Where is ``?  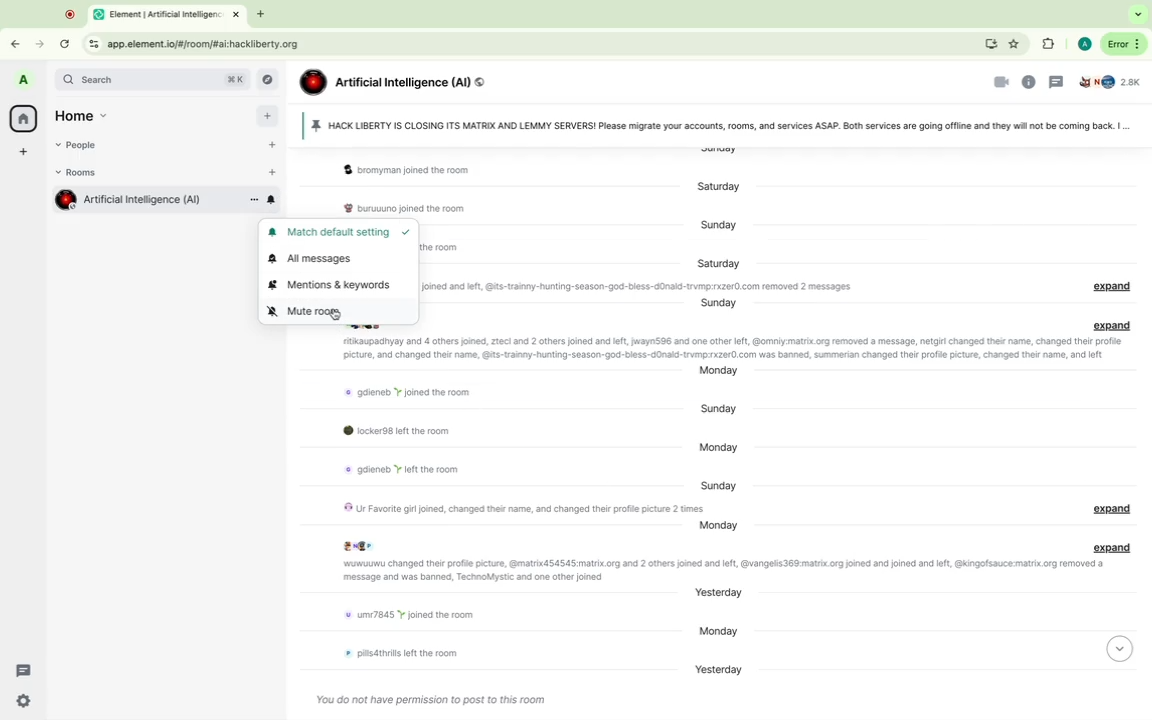
 is located at coordinates (66, 13).